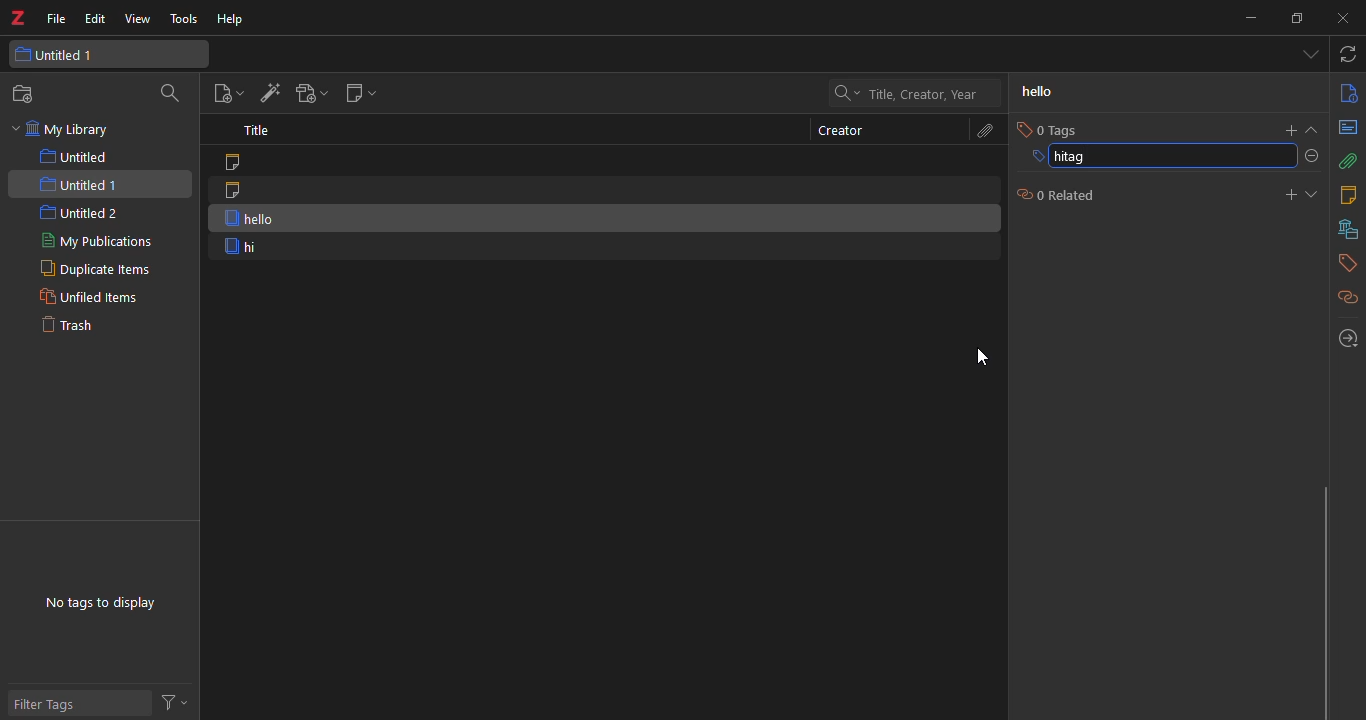 The height and width of the screenshot is (720, 1366). Describe the element at coordinates (1299, 17) in the screenshot. I see `maximize` at that location.